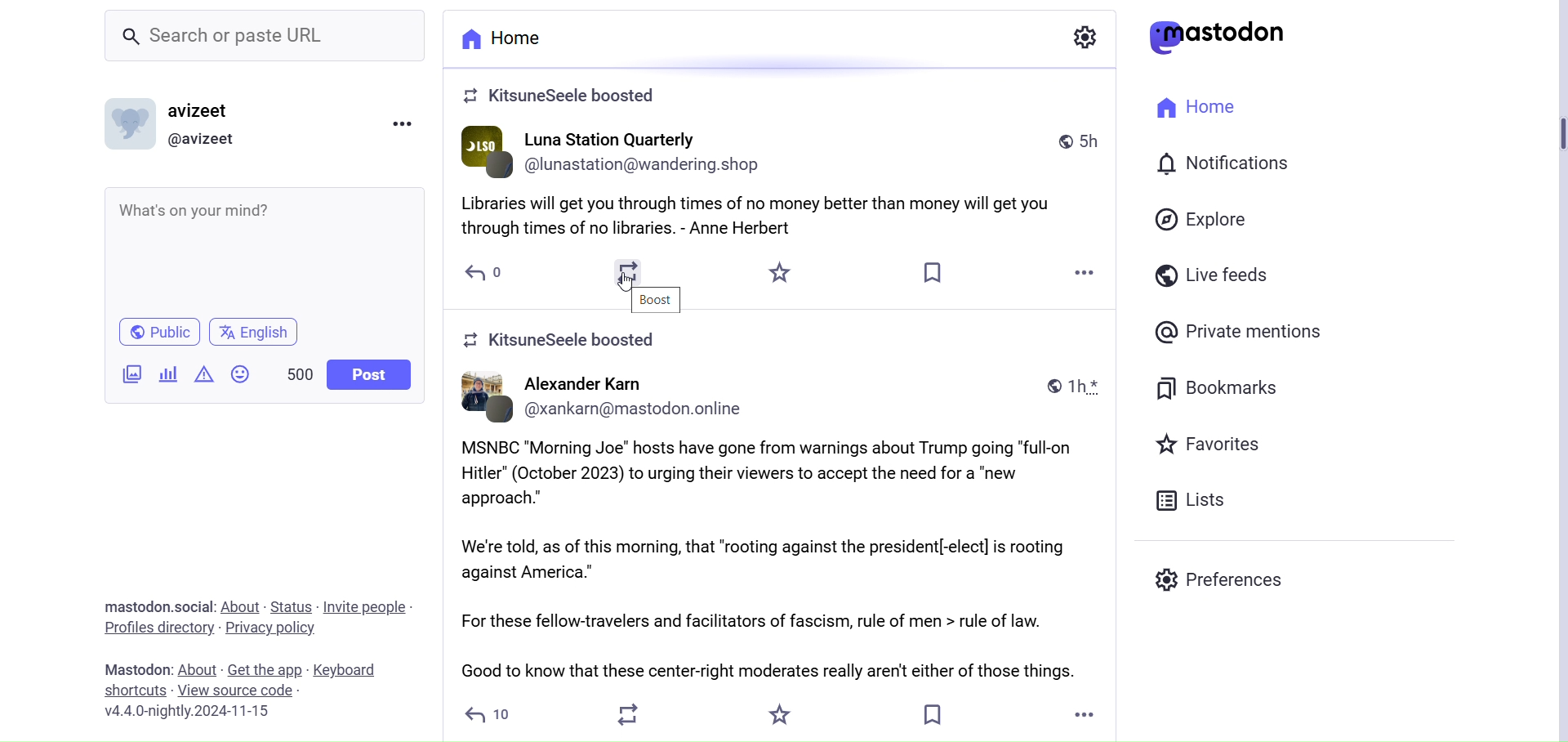 This screenshot has width=1568, height=742. I want to click on Logo, so click(1224, 38).